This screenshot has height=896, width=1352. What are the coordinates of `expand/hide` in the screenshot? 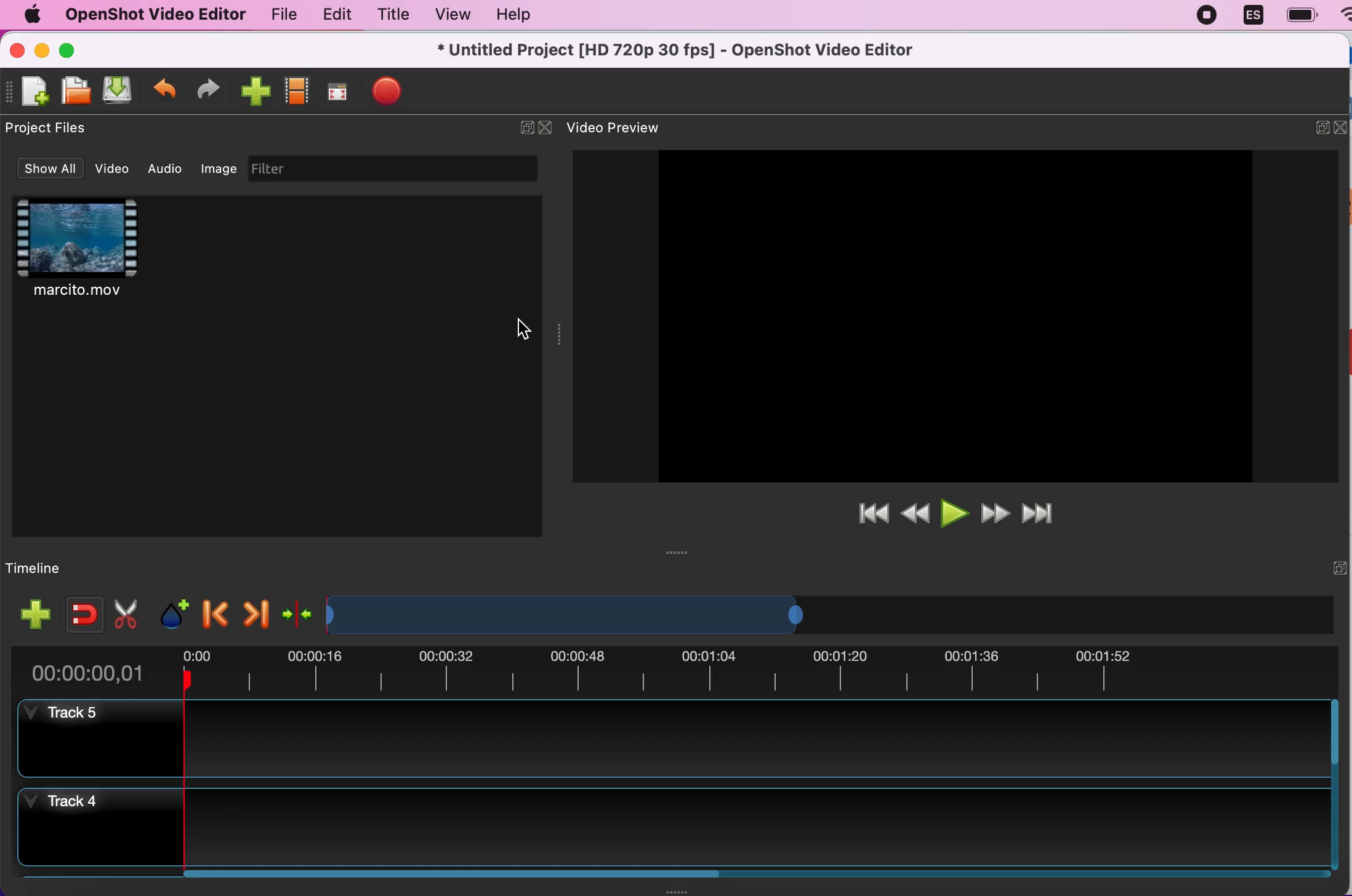 It's located at (1316, 126).